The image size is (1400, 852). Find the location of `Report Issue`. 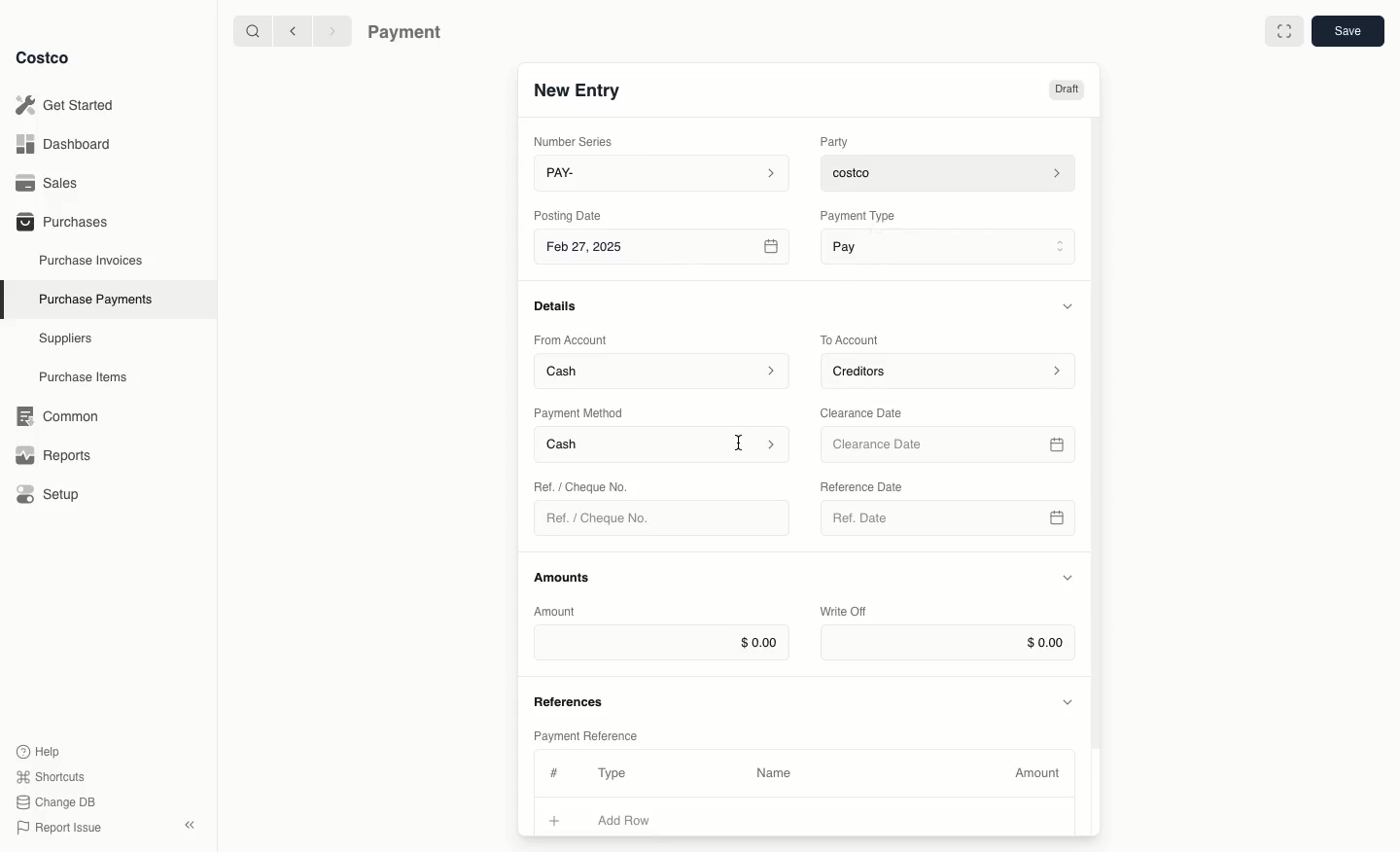

Report Issue is located at coordinates (59, 829).